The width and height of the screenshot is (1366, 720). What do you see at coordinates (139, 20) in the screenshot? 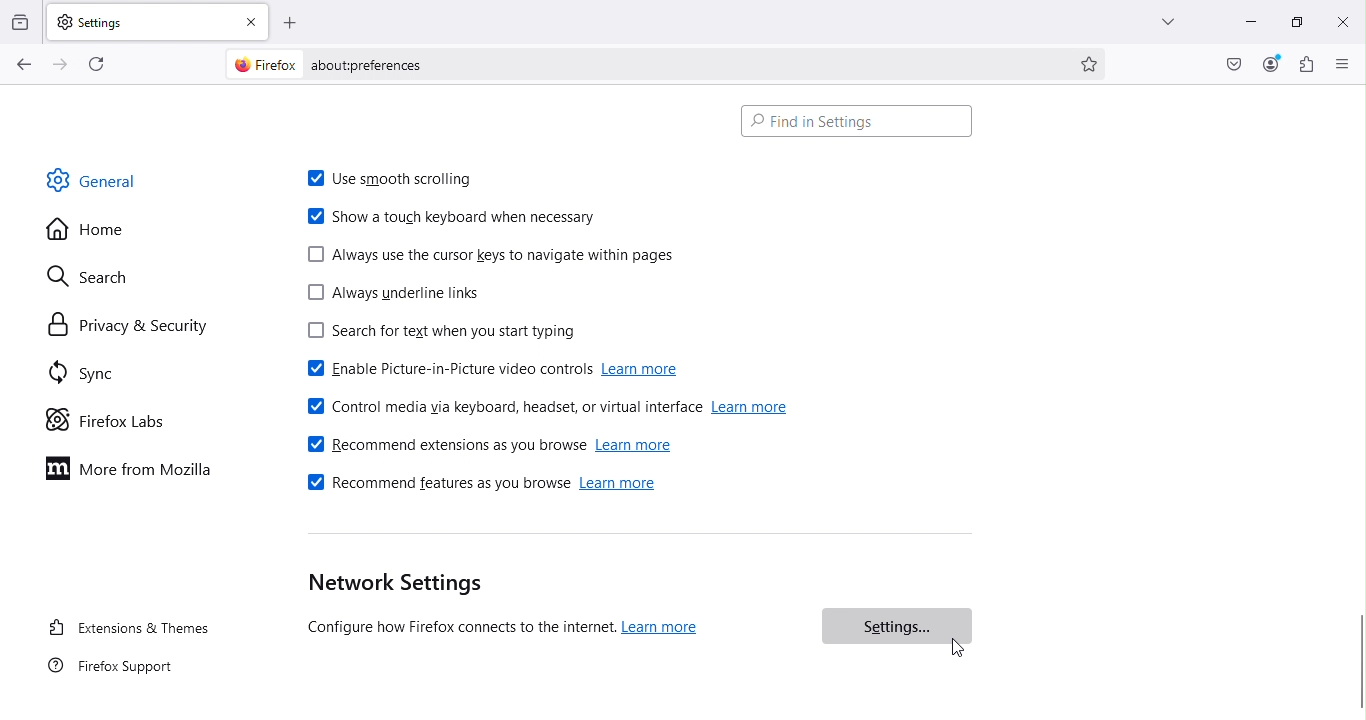
I see `Settings tab` at bounding box center [139, 20].